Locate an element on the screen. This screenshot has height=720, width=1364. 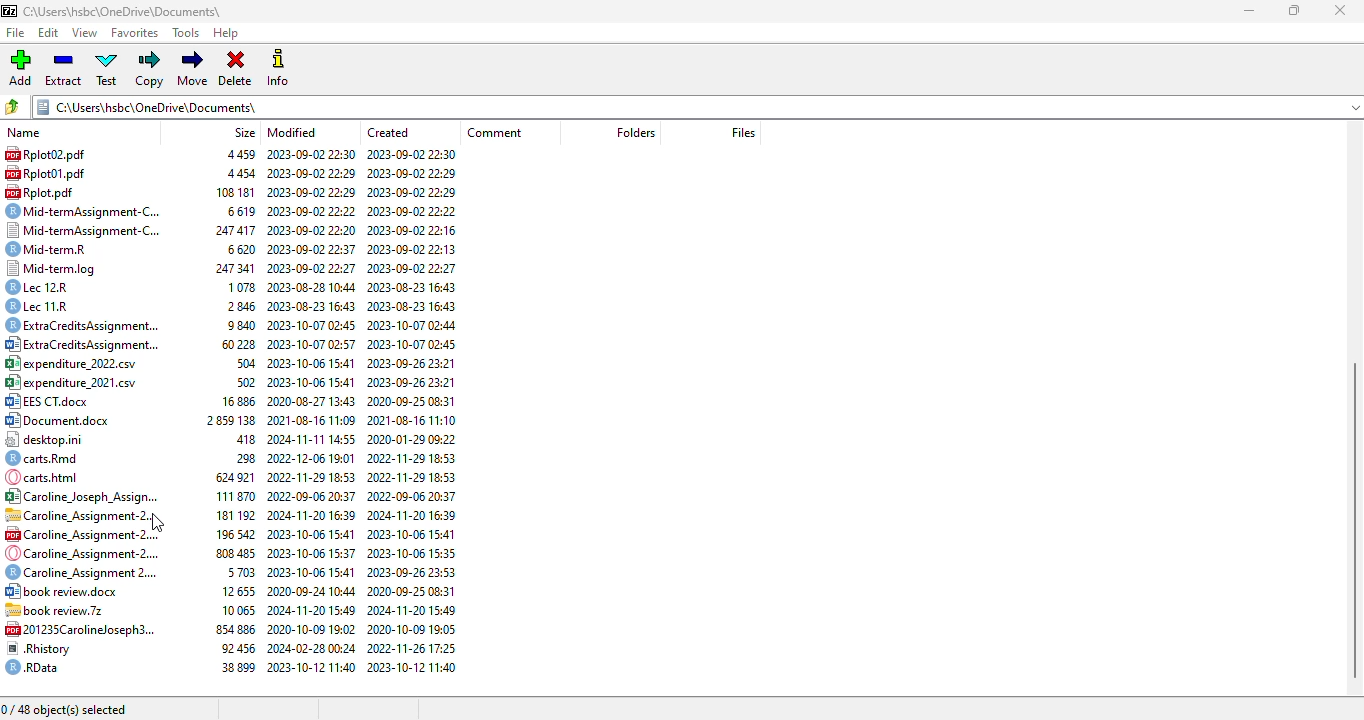
0/48 object(s) selected  is located at coordinates (66, 710).